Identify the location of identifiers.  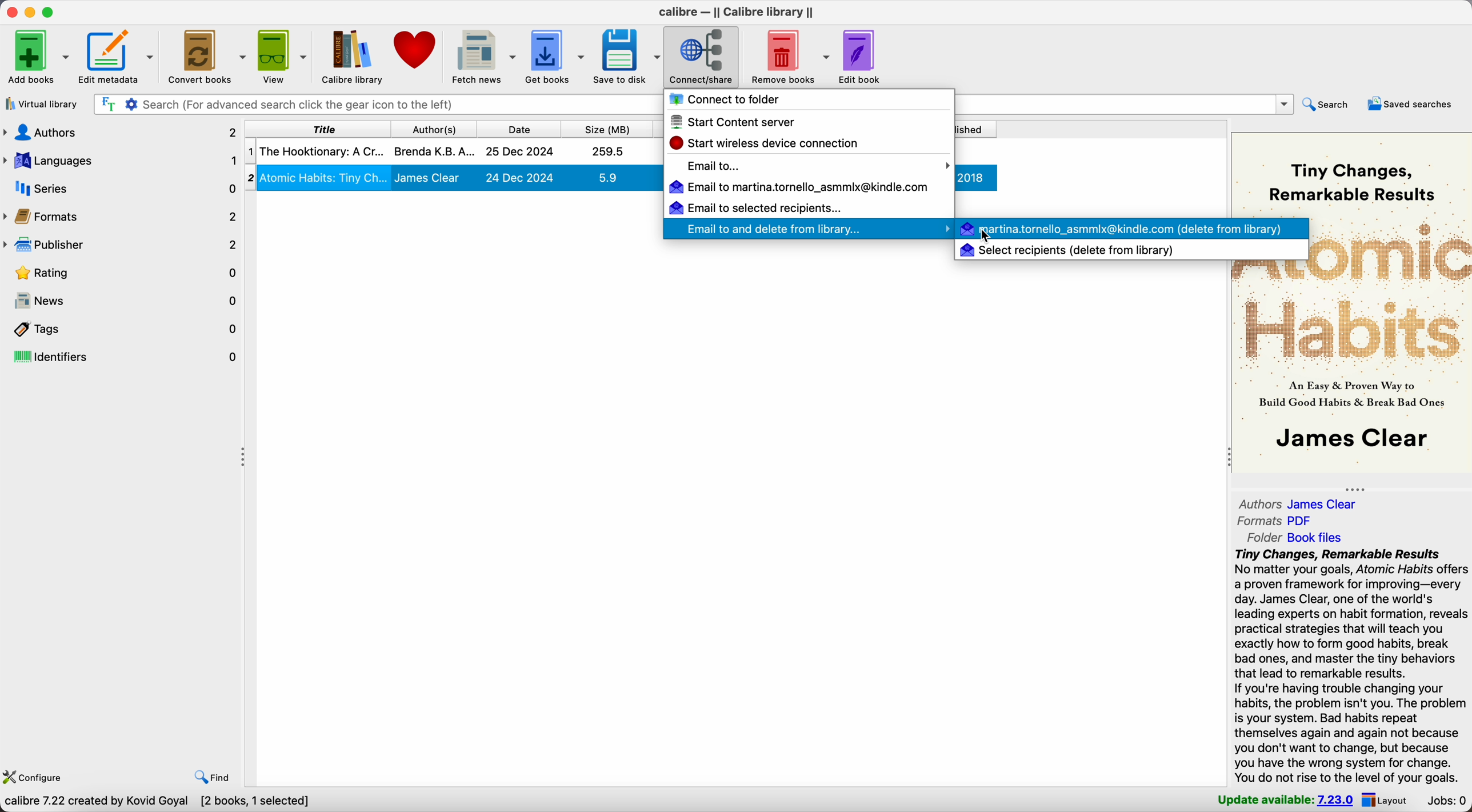
(122, 357).